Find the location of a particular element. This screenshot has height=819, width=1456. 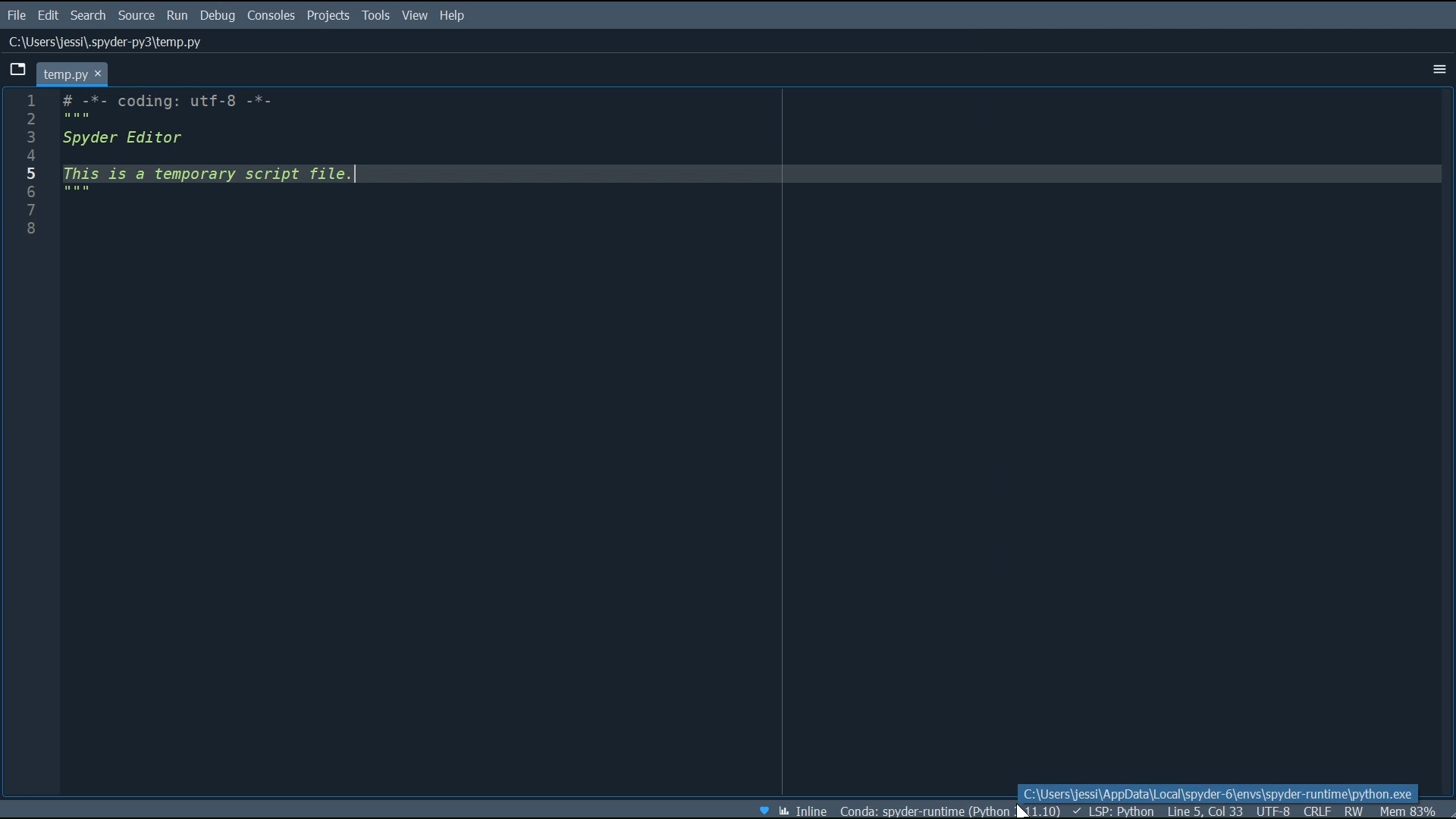

Line column is located at coordinates (28, 444).